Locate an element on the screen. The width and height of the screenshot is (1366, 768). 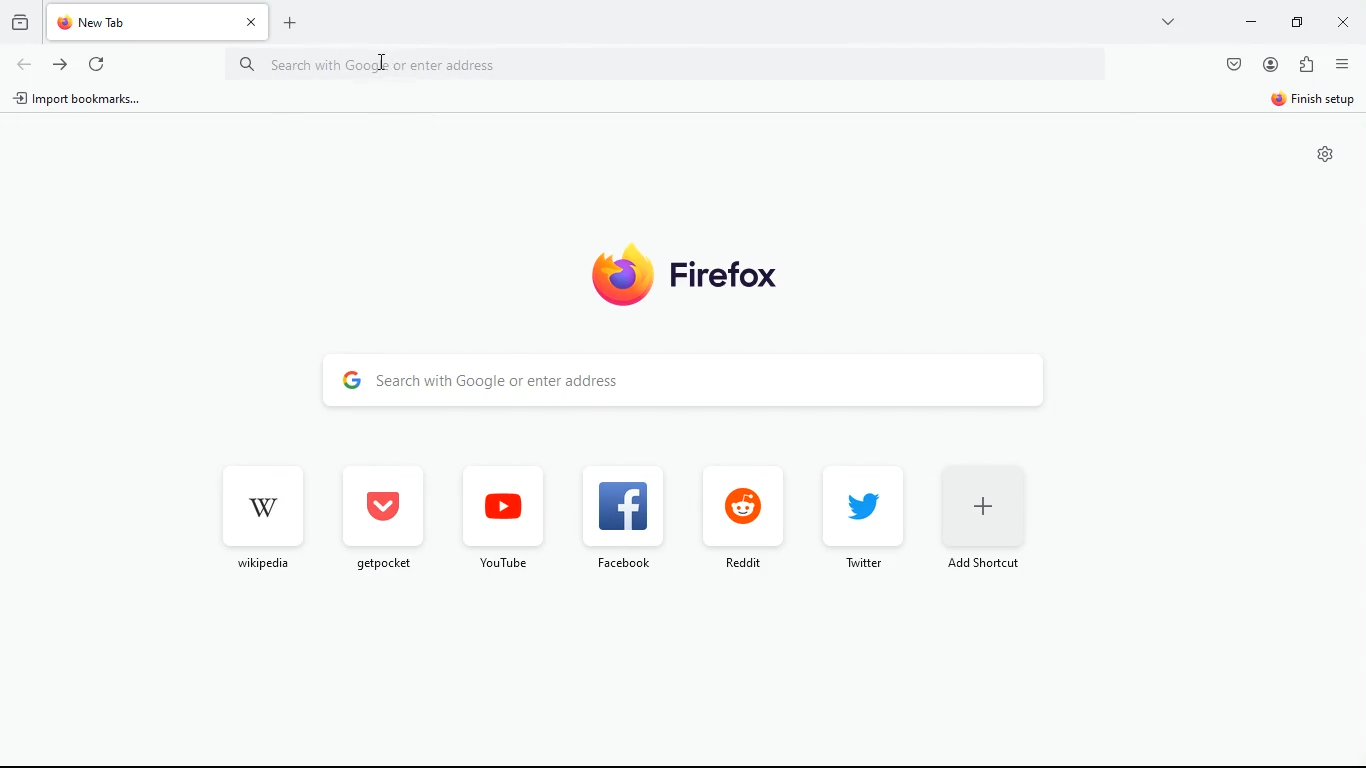
url is located at coordinates (445, 65).